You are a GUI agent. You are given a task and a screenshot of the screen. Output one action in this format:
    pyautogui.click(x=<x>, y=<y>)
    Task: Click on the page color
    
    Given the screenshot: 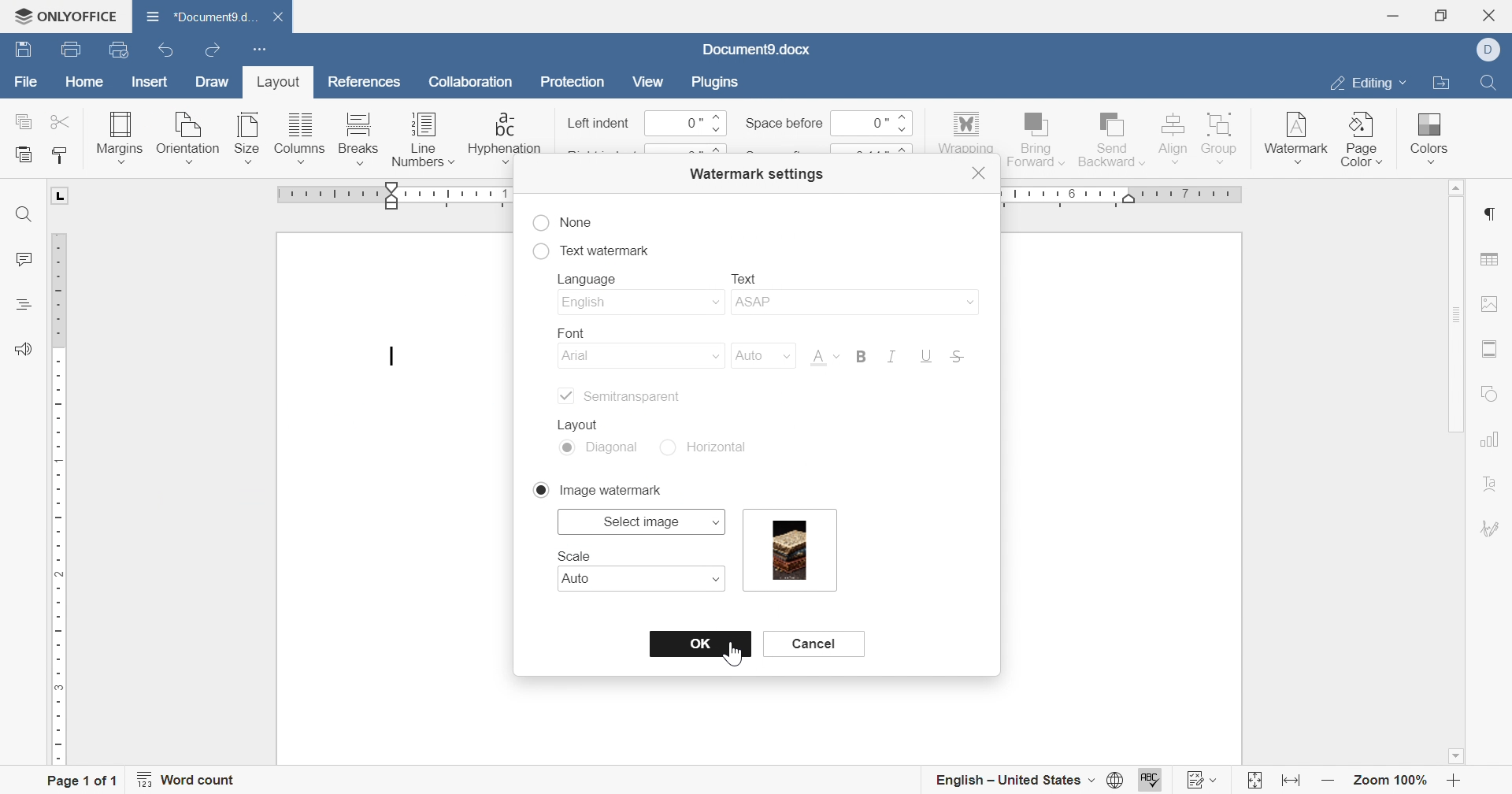 What is the action you would take?
    pyautogui.click(x=1363, y=139)
    